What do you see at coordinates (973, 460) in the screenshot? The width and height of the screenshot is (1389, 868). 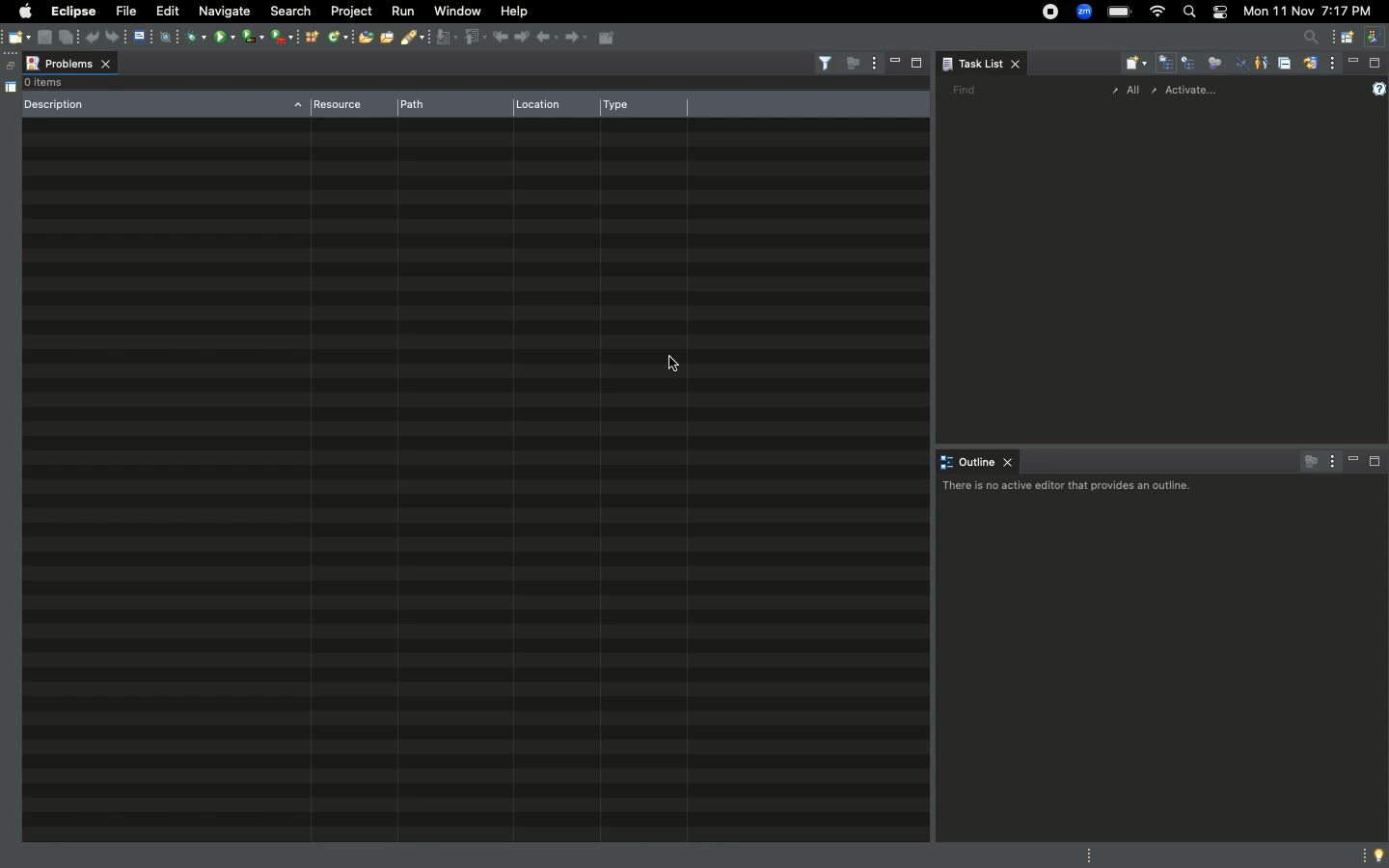 I see `outline` at bounding box center [973, 460].